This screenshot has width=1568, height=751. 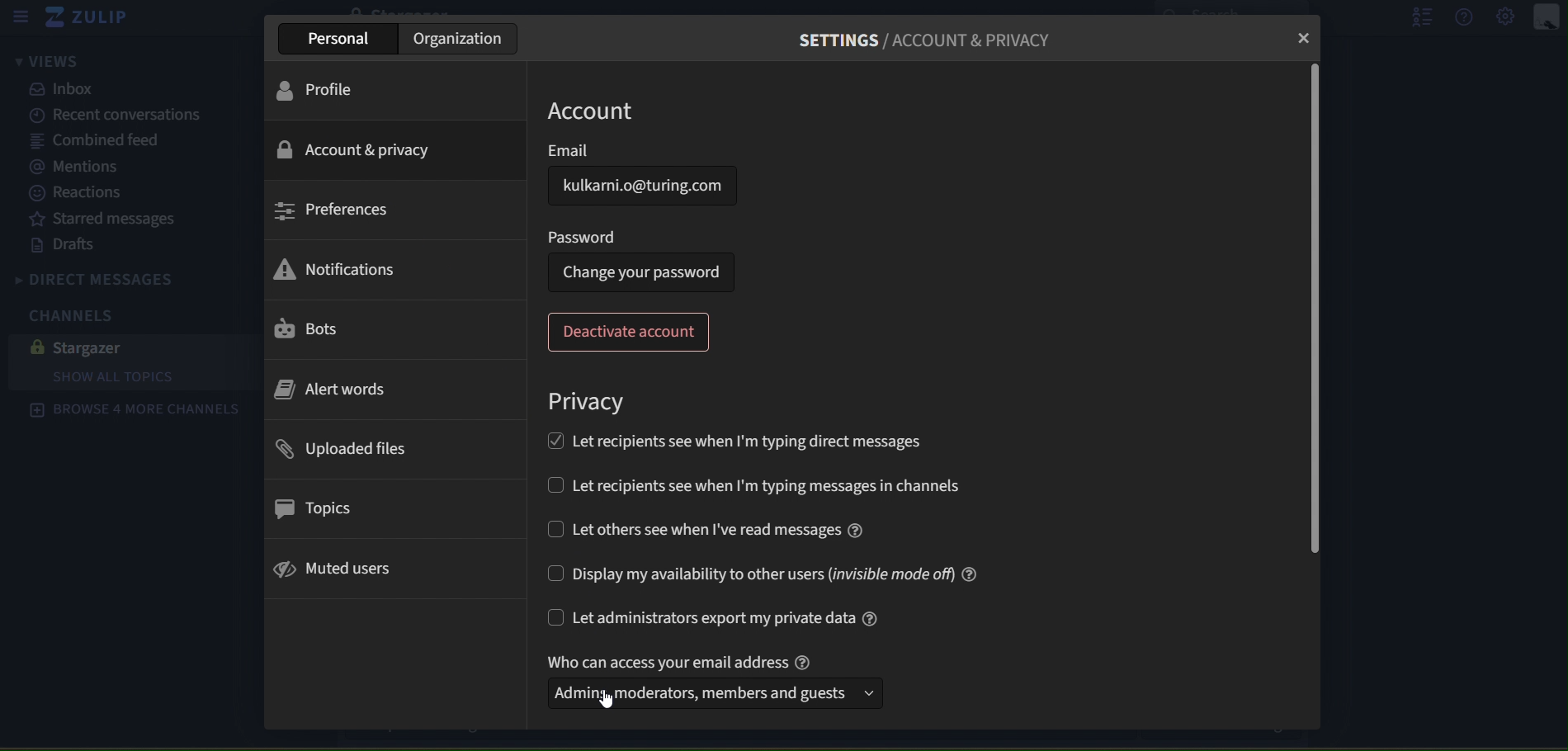 I want to click on close, so click(x=1303, y=38).